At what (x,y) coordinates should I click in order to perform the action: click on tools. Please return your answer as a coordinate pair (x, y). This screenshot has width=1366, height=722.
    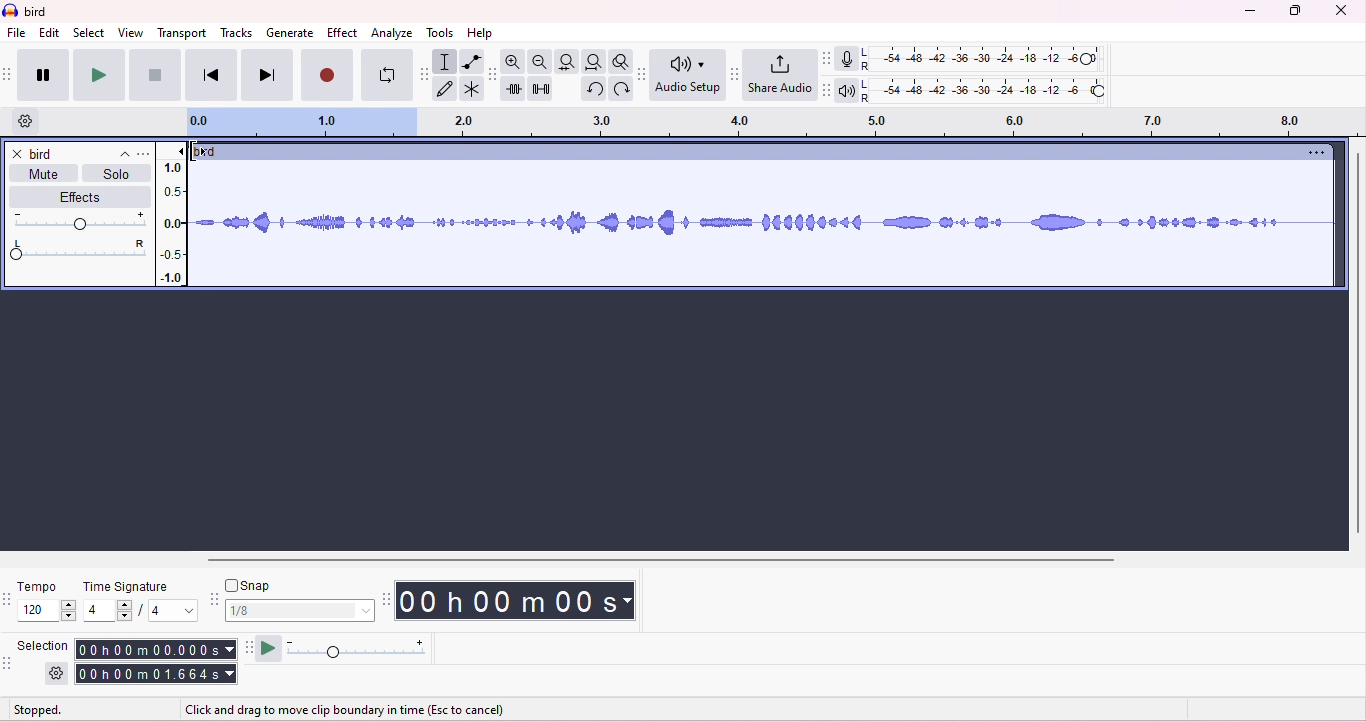
    Looking at the image, I should click on (441, 33).